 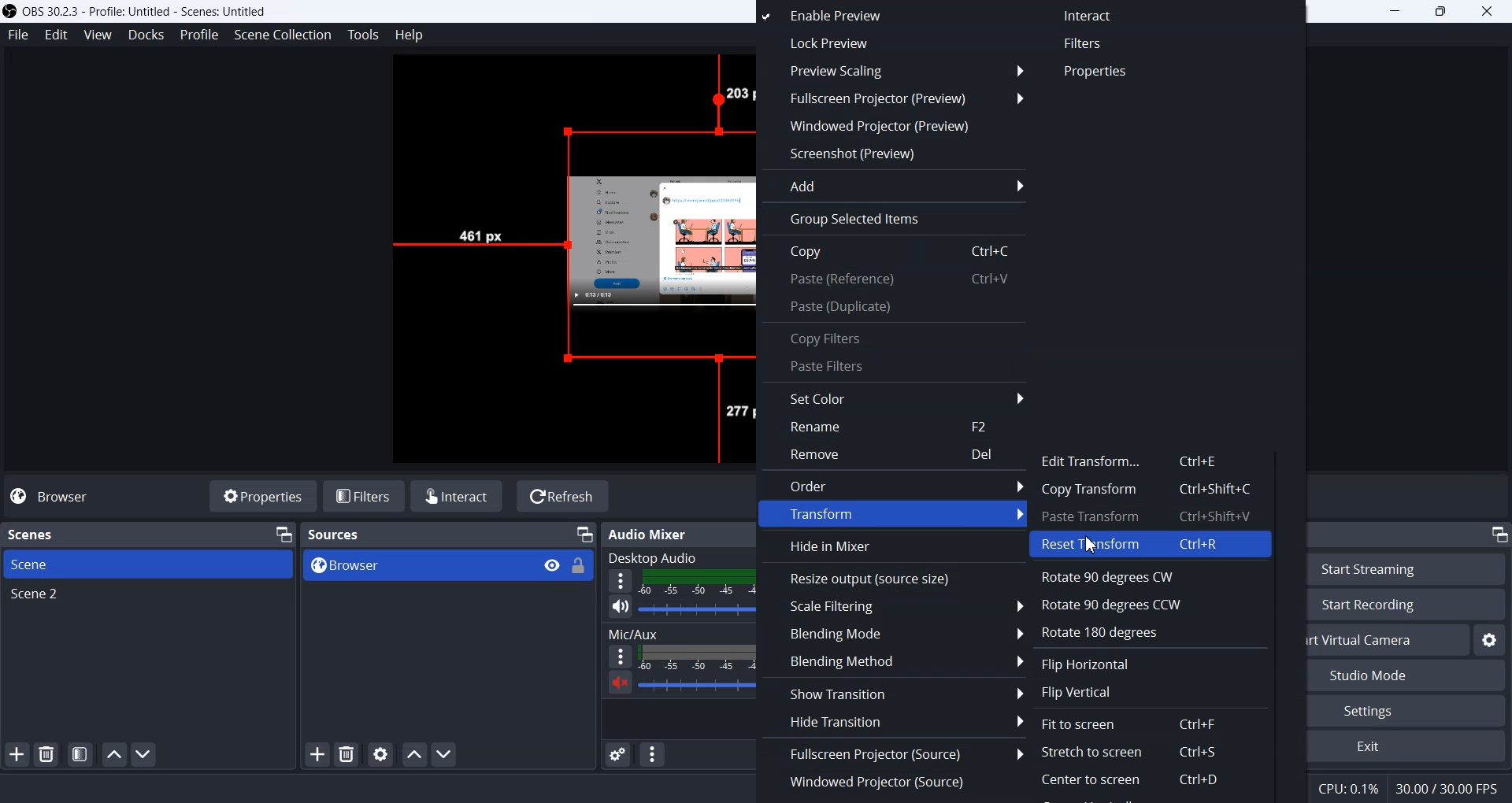 I want to click on Start Streaming, so click(x=1410, y=568).